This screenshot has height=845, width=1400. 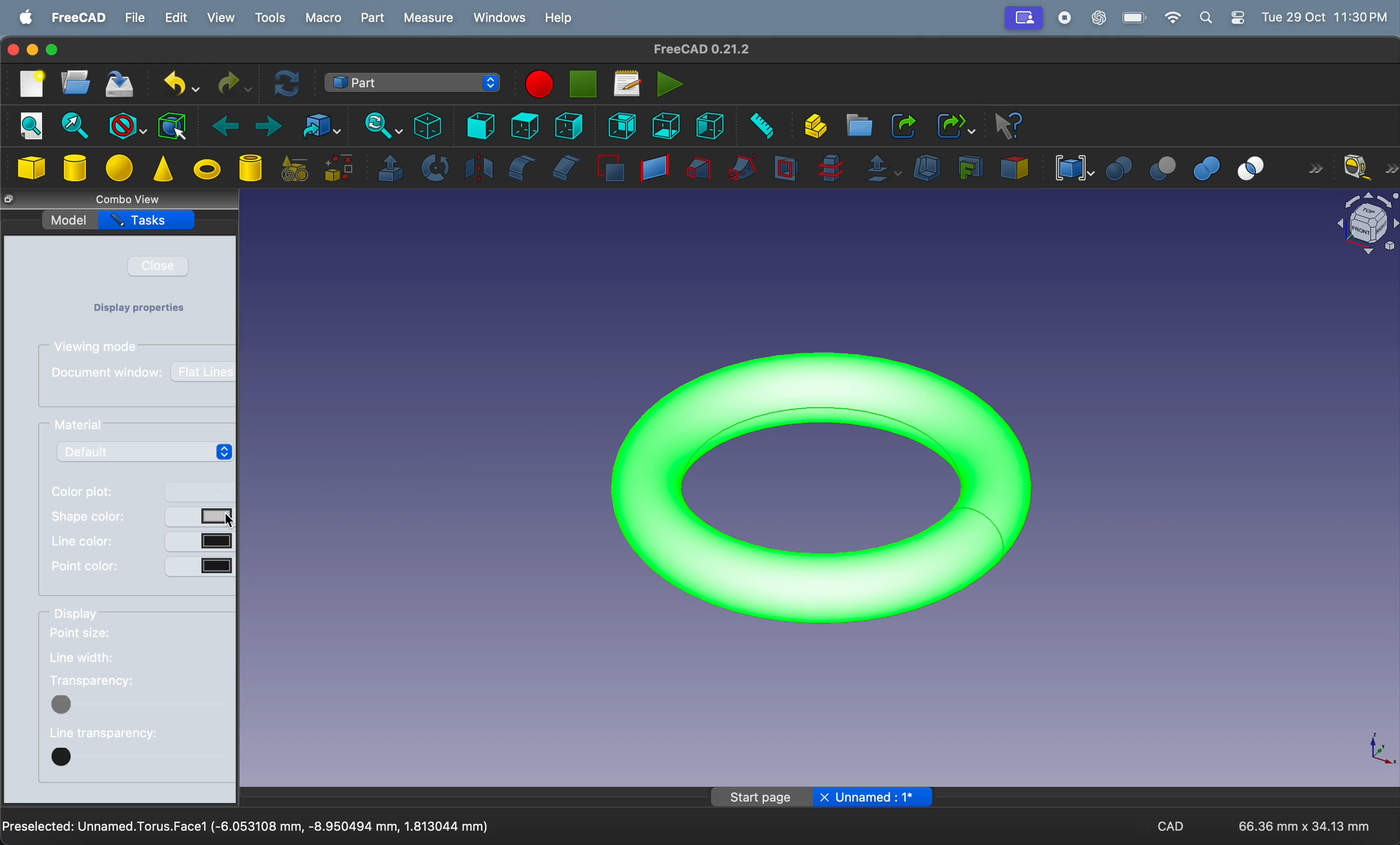 I want to click on marco recording, so click(x=539, y=84).